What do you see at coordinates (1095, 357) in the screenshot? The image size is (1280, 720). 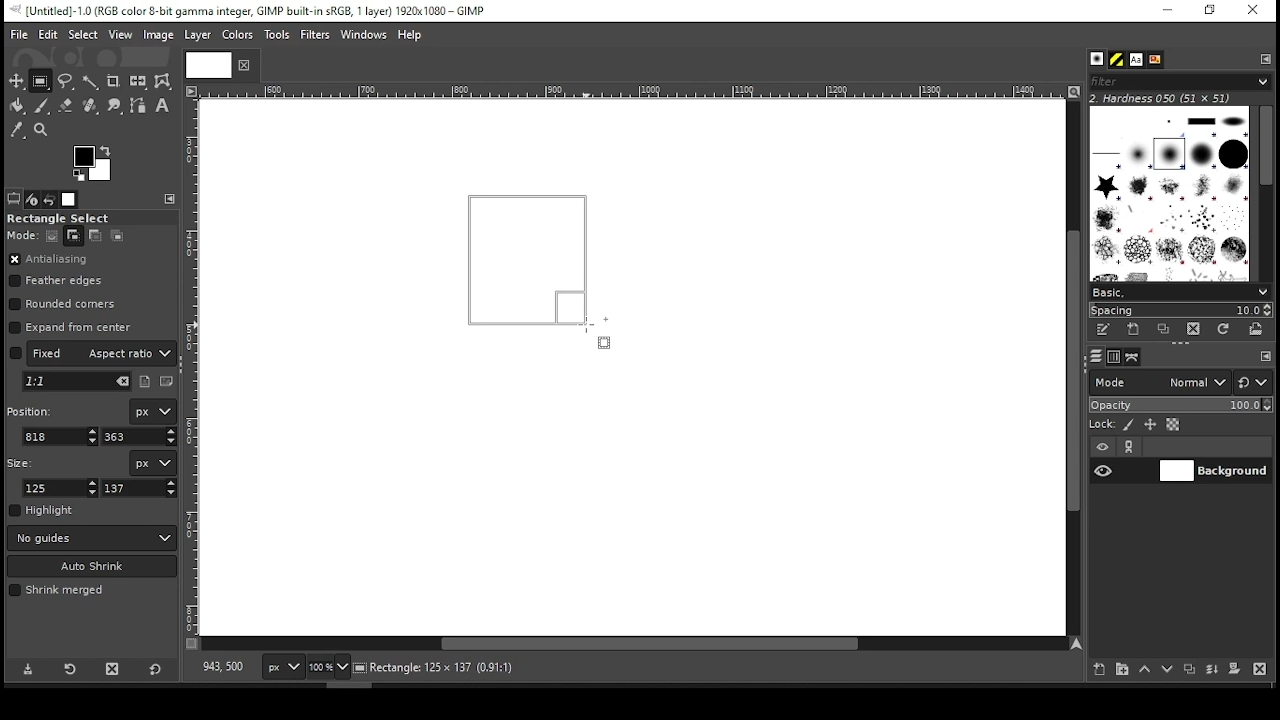 I see `layers` at bounding box center [1095, 357].